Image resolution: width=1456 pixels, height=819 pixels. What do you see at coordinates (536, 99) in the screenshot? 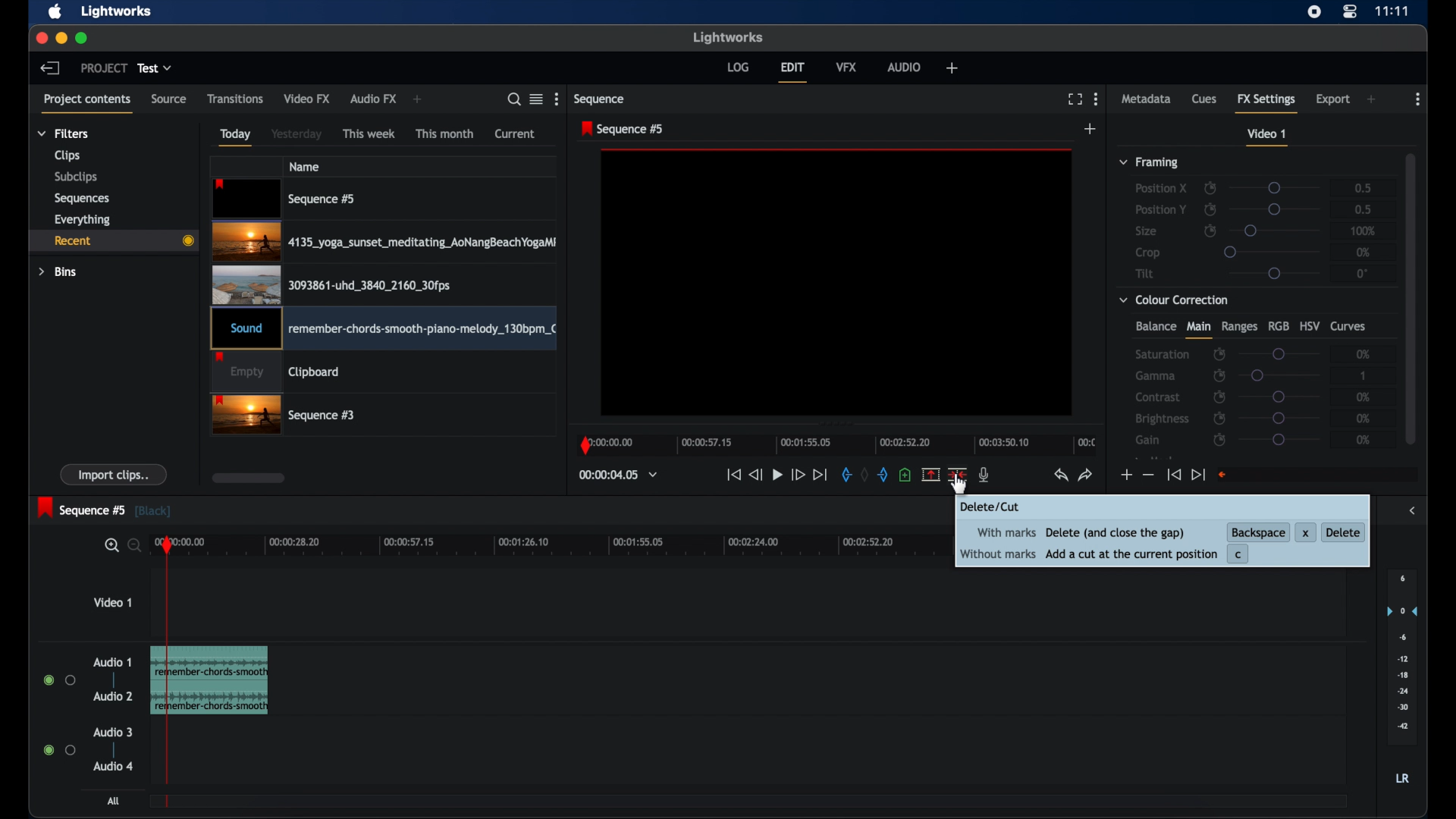
I see `toggle list or tile view` at bounding box center [536, 99].